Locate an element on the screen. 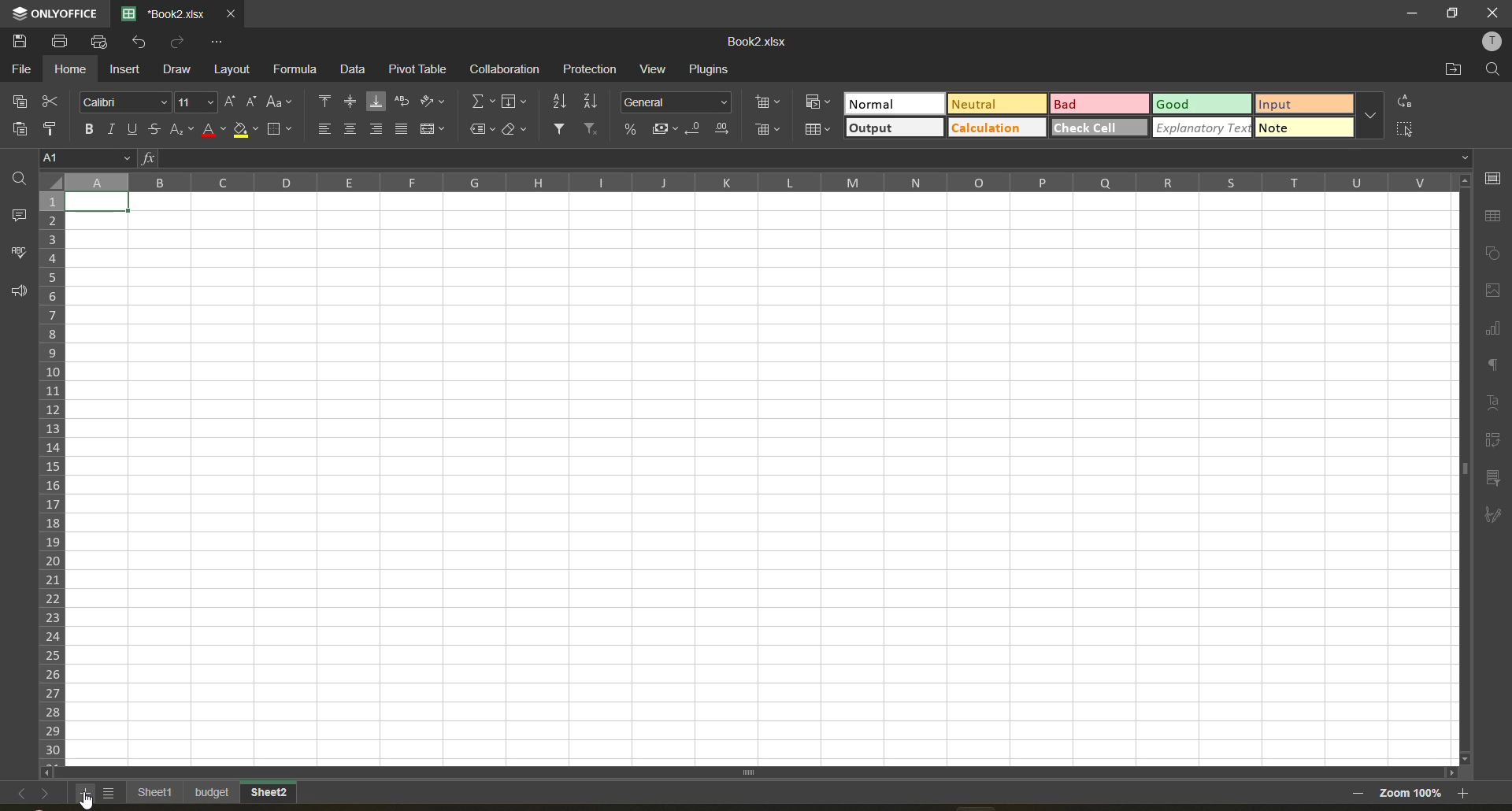 The height and width of the screenshot is (811, 1512). scroll bar is located at coordinates (1462, 437).